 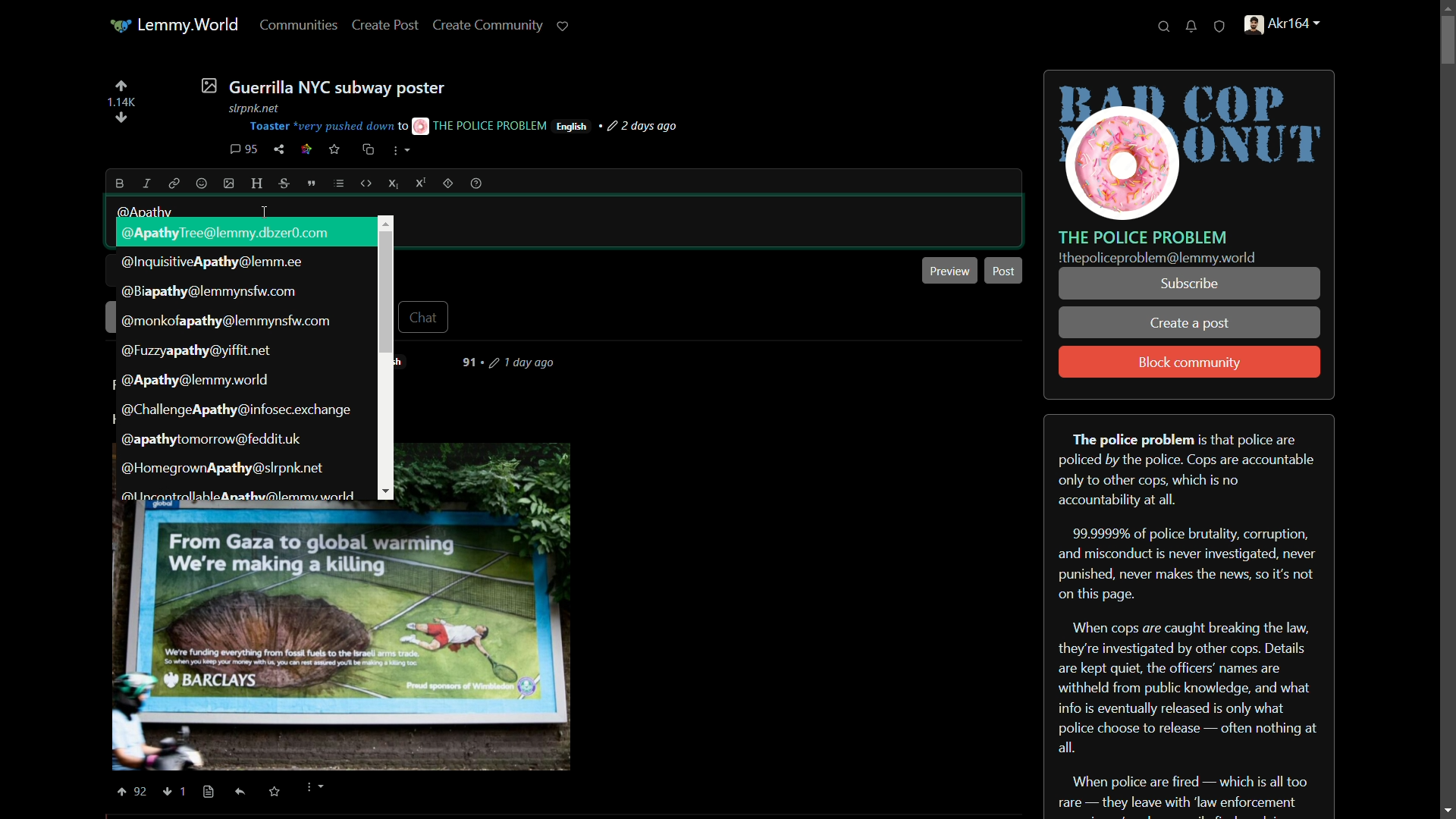 I want to click on THE POLICE PROBLEM, so click(x=481, y=125).